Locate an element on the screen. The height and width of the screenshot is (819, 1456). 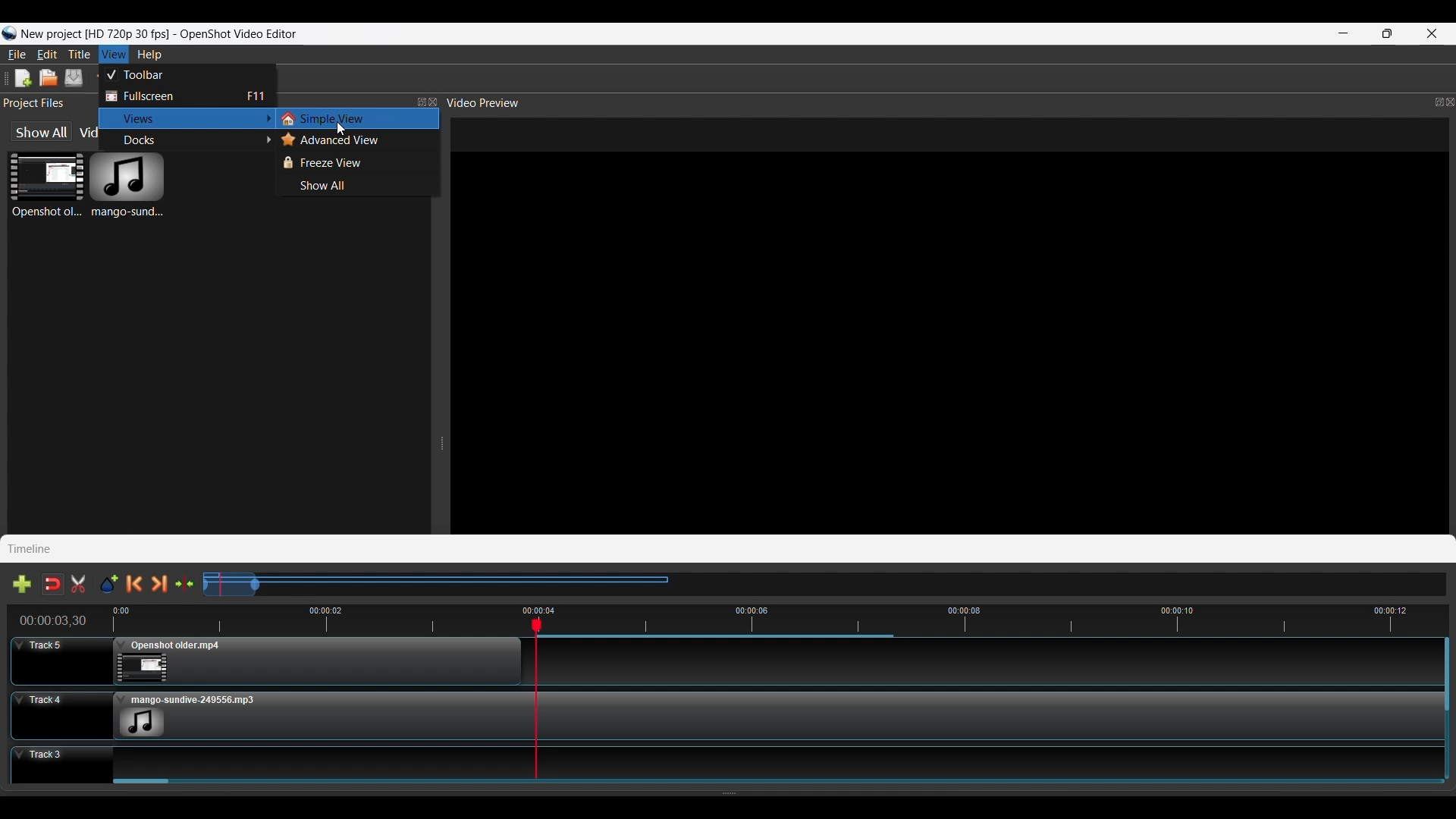
Disable Snapping is located at coordinates (53, 583).